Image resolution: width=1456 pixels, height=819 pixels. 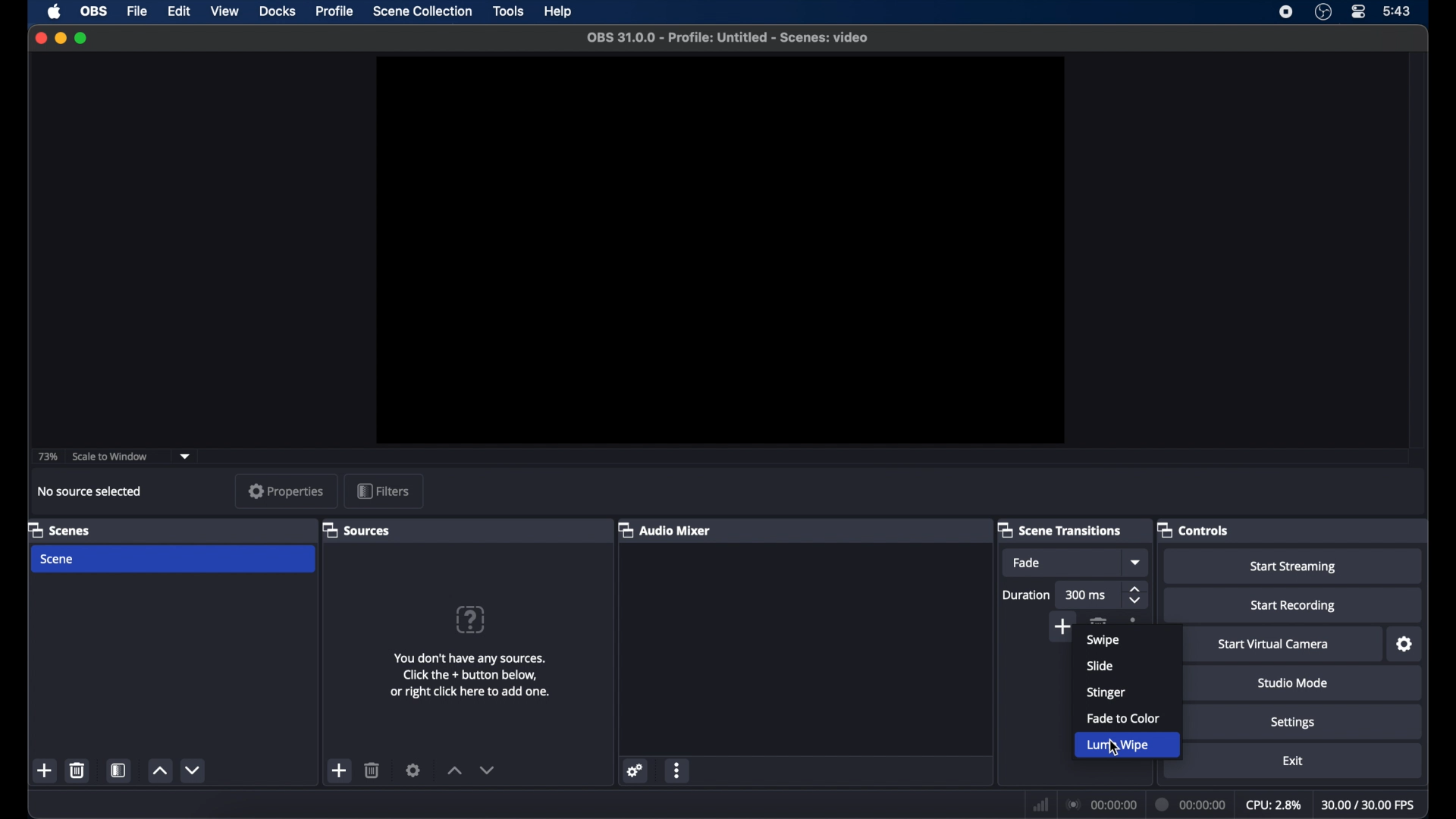 I want to click on view, so click(x=224, y=11).